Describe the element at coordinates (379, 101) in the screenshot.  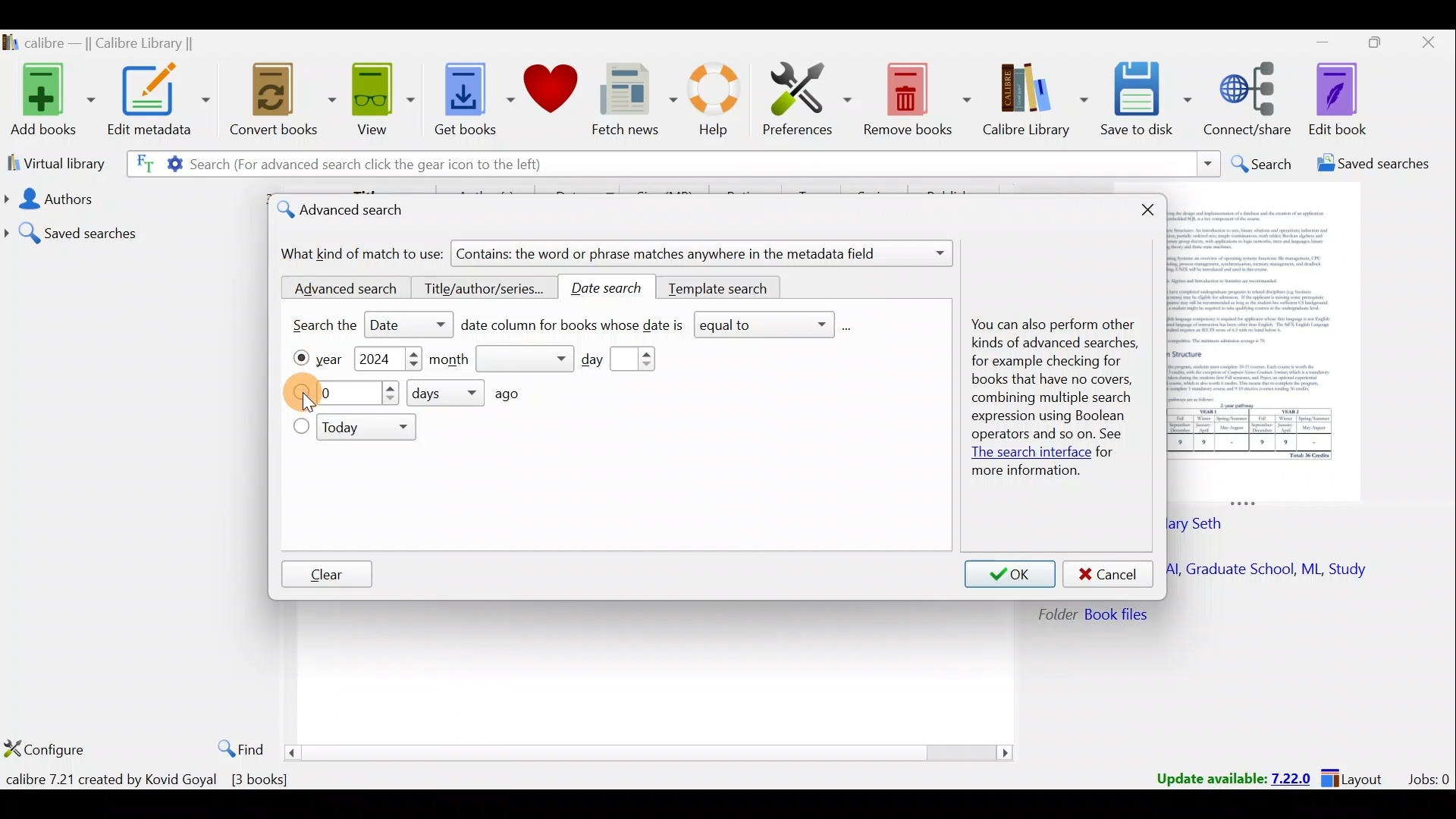
I see `View` at that location.